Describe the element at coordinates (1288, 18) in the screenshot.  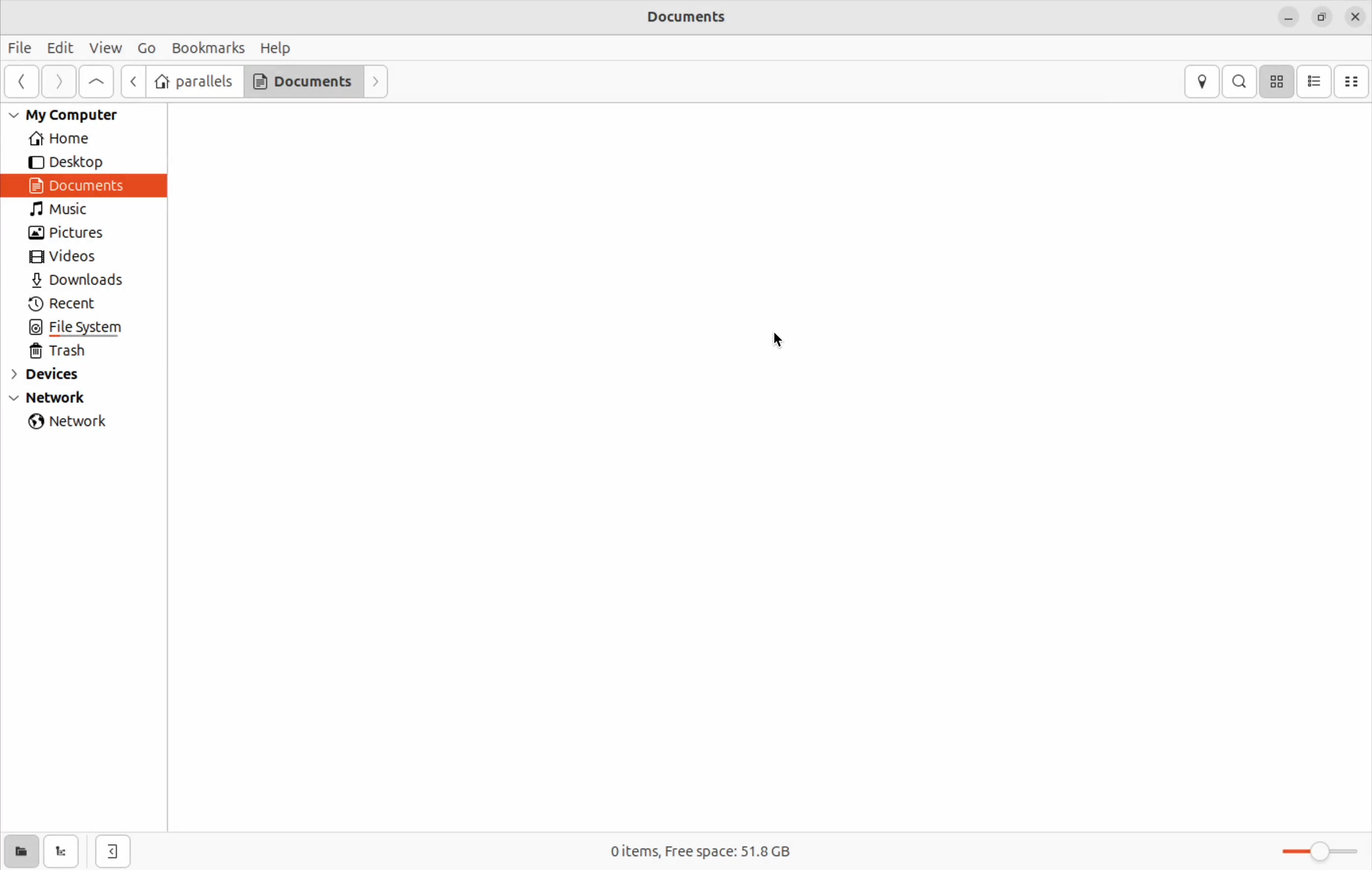
I see `minimize` at that location.